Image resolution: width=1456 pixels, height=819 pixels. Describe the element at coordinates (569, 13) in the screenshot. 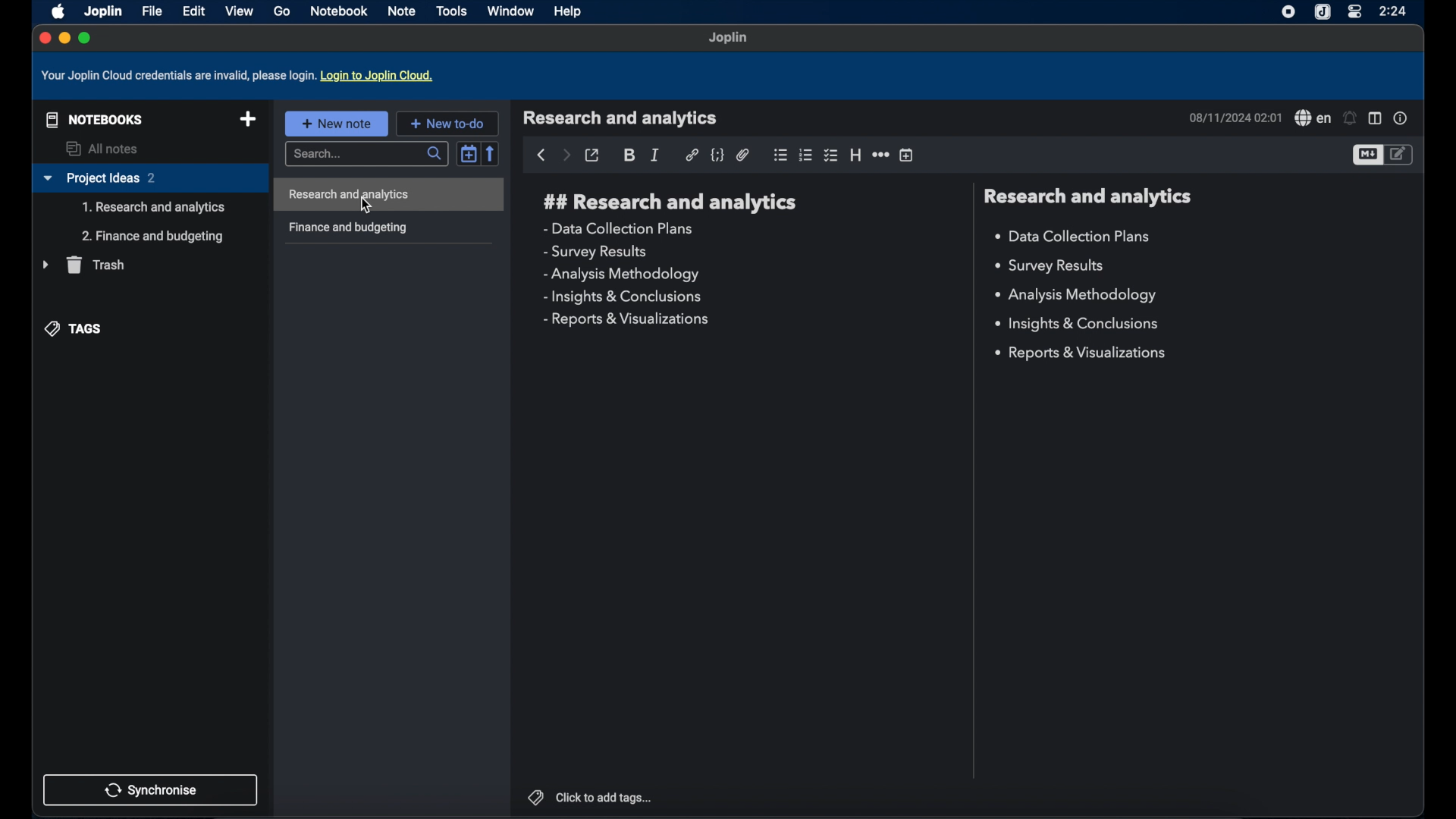

I see `help` at that location.